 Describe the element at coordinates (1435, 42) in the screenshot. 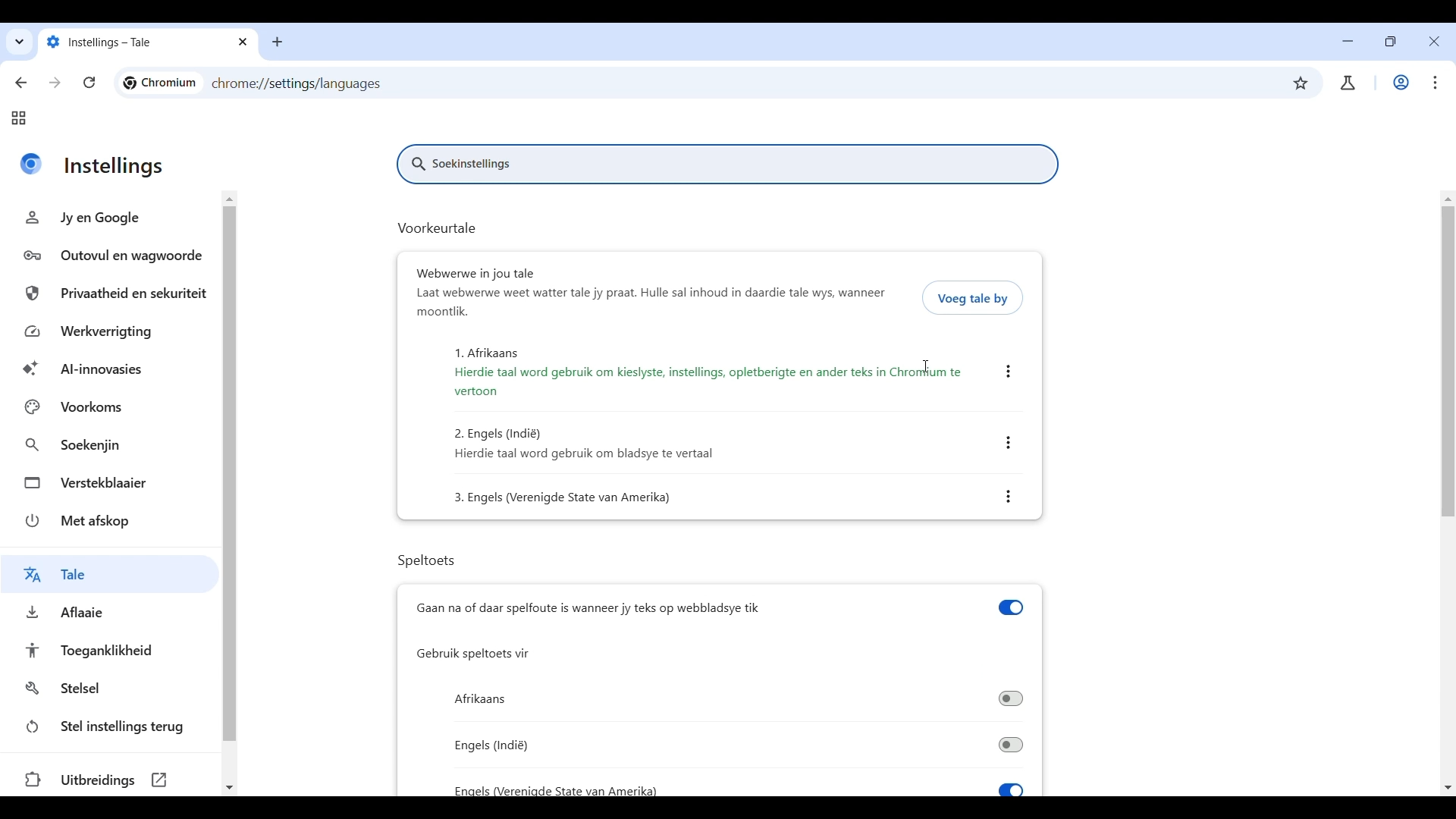

I see `Close interface` at that location.